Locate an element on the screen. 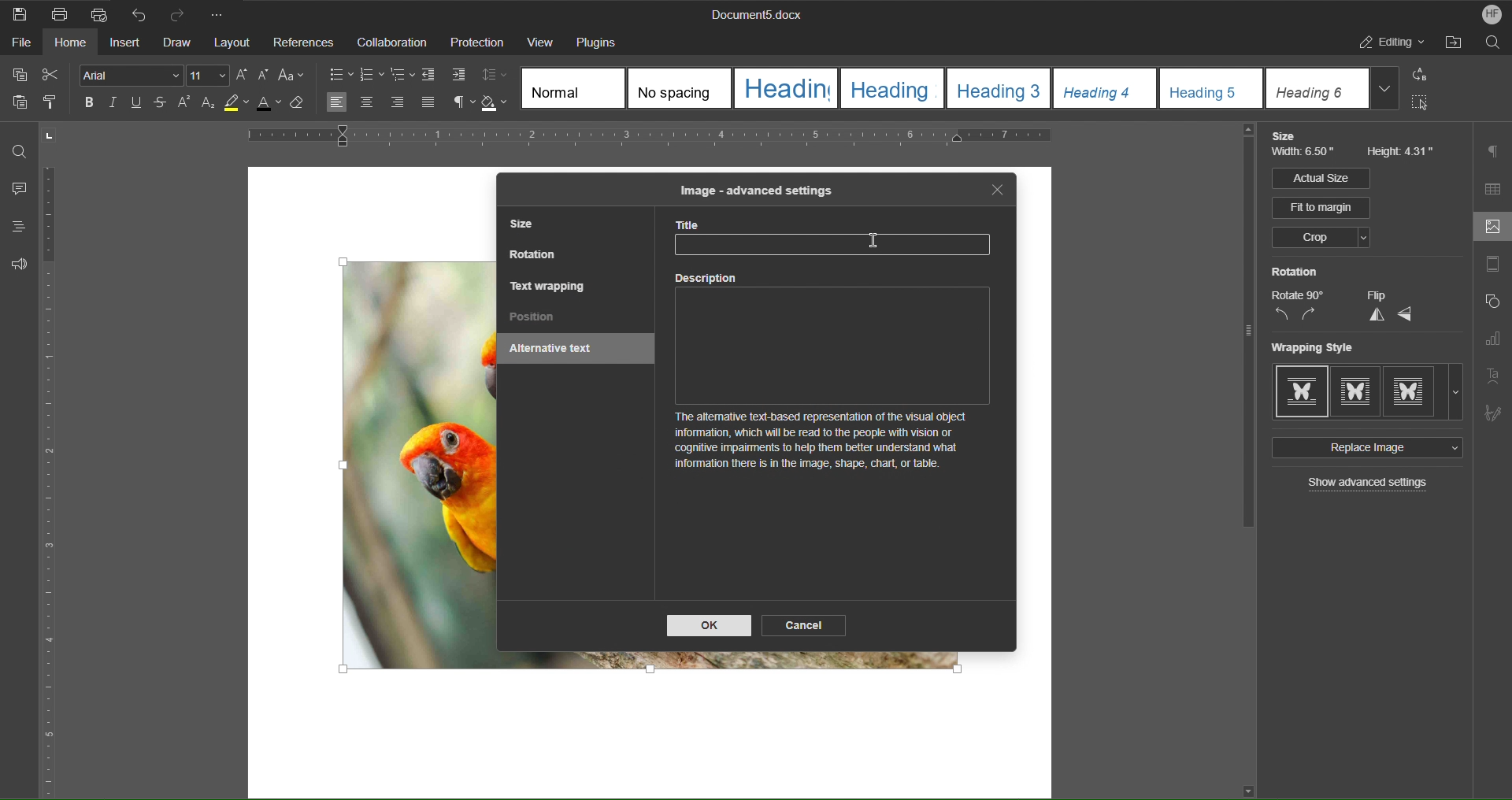  Title is located at coordinates (840, 239).